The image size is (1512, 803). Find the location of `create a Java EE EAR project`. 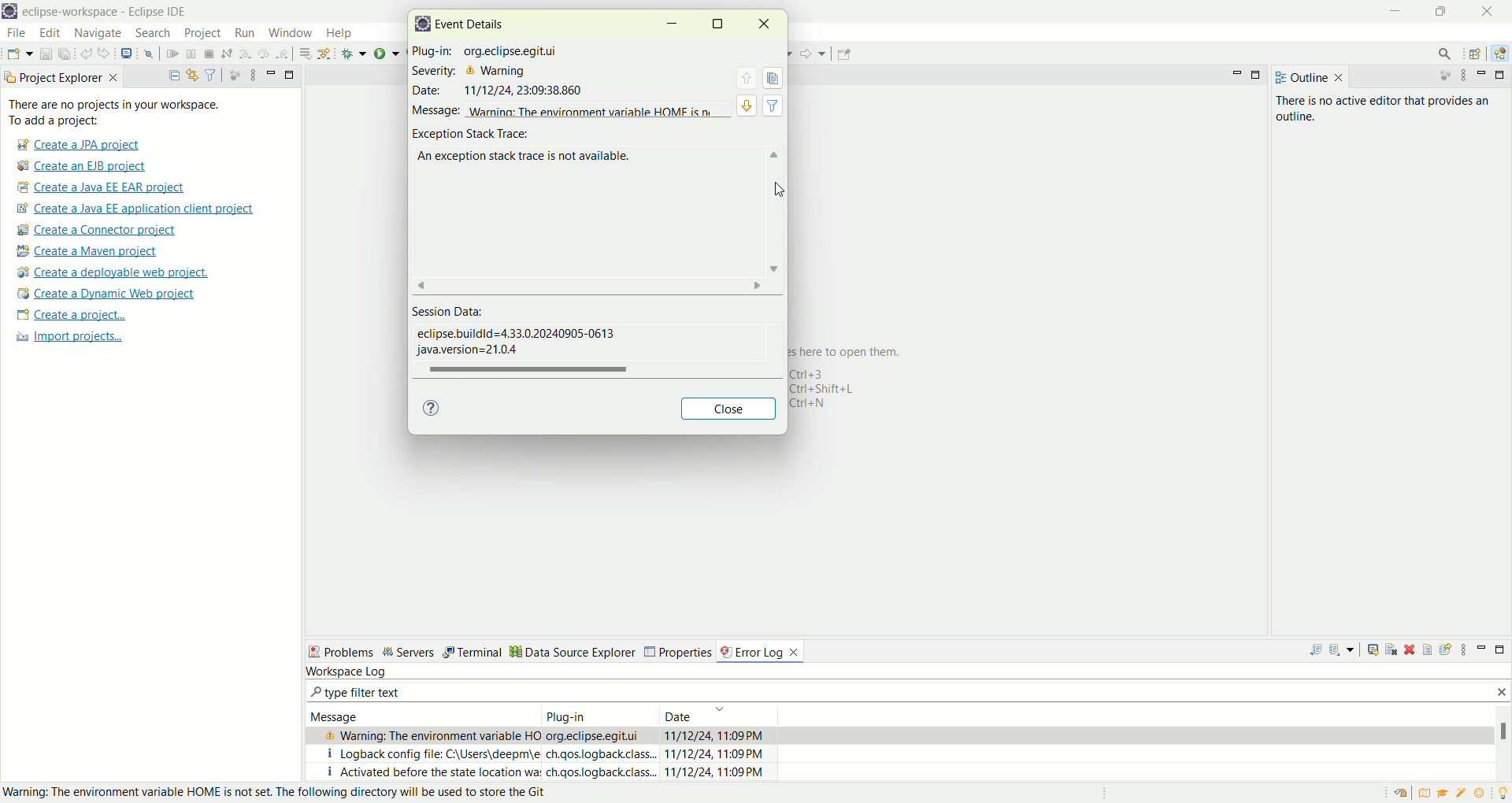

create a Java EE EAR project is located at coordinates (103, 188).